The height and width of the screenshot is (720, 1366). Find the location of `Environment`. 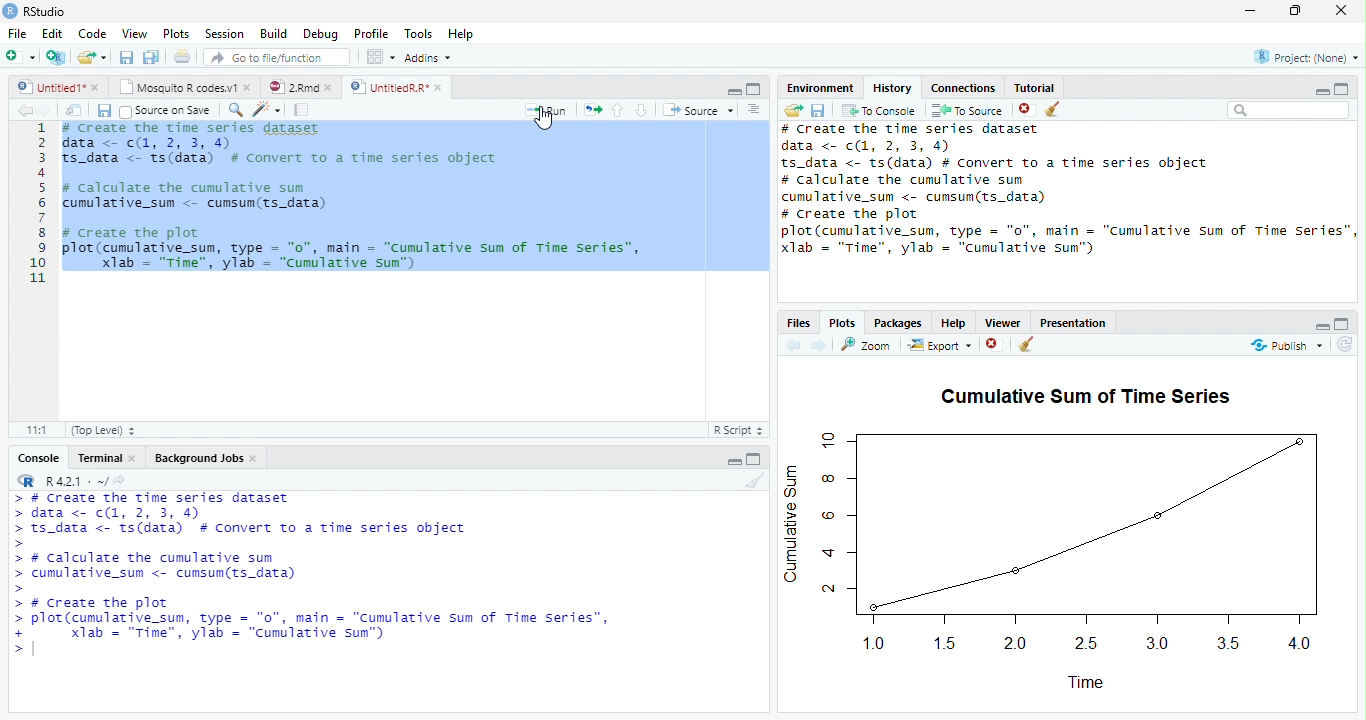

Environment is located at coordinates (820, 87).